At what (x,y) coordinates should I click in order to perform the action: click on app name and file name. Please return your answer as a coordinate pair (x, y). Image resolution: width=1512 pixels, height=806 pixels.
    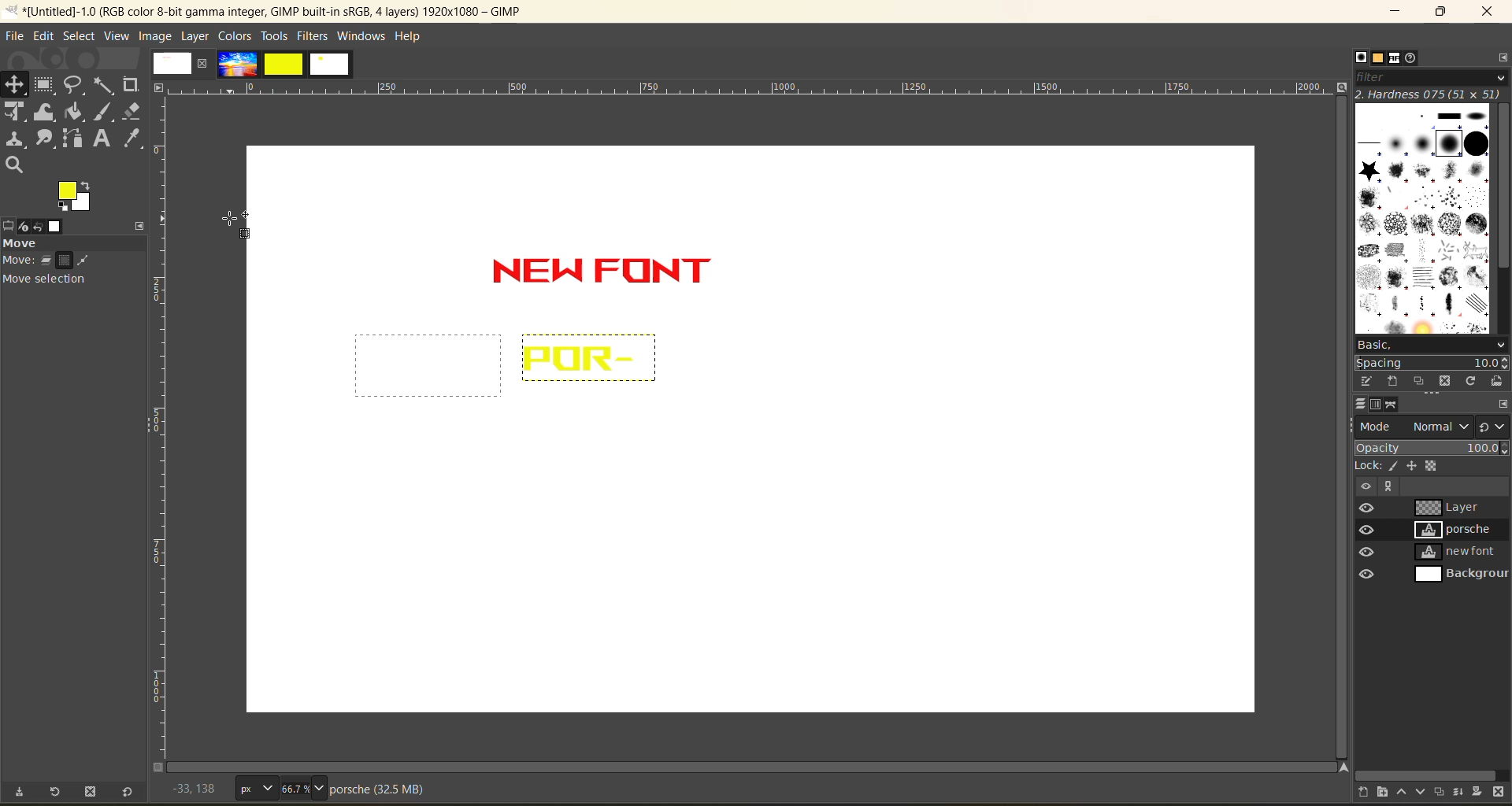
    Looking at the image, I should click on (265, 10).